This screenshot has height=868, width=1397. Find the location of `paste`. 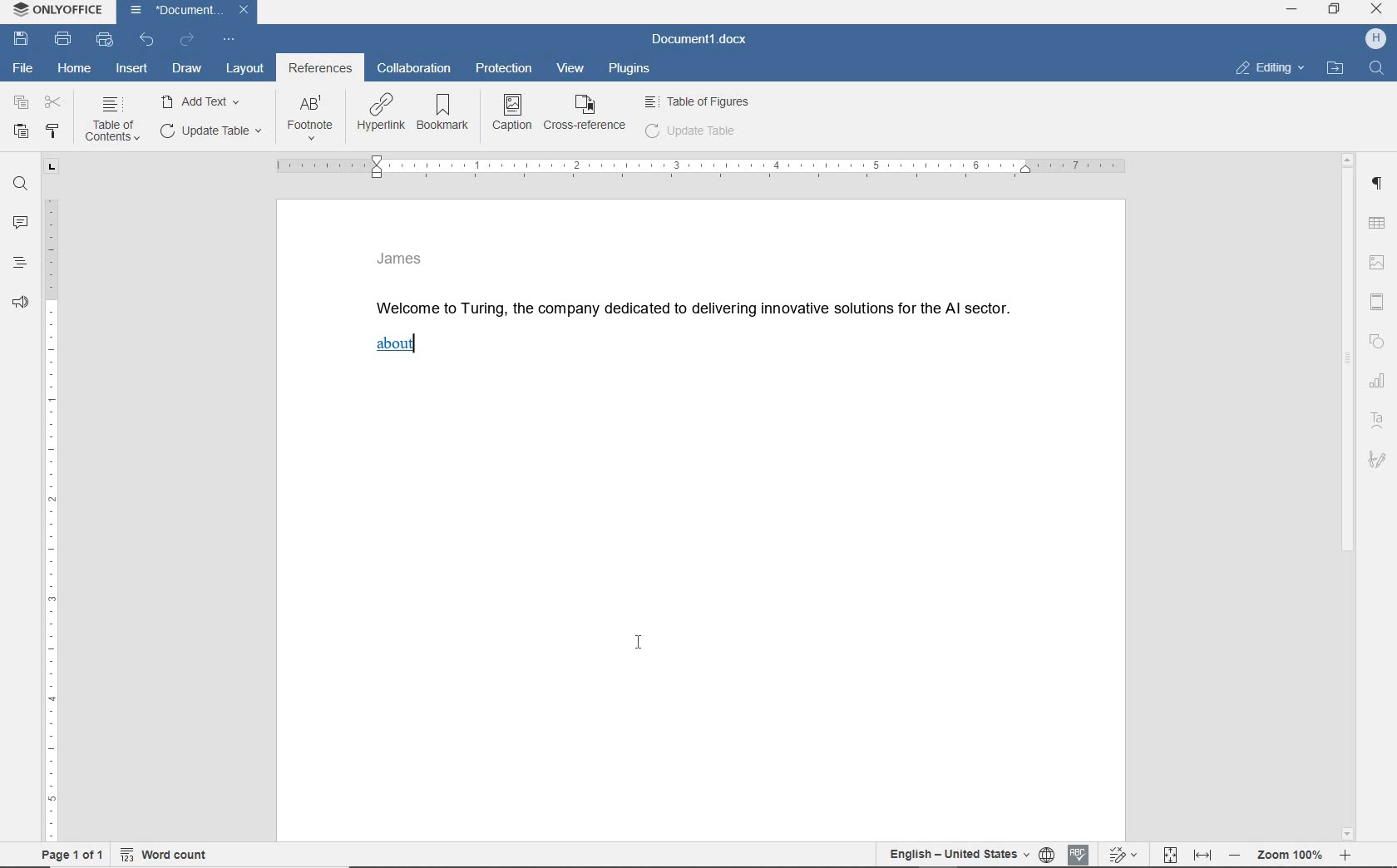

paste is located at coordinates (21, 131).